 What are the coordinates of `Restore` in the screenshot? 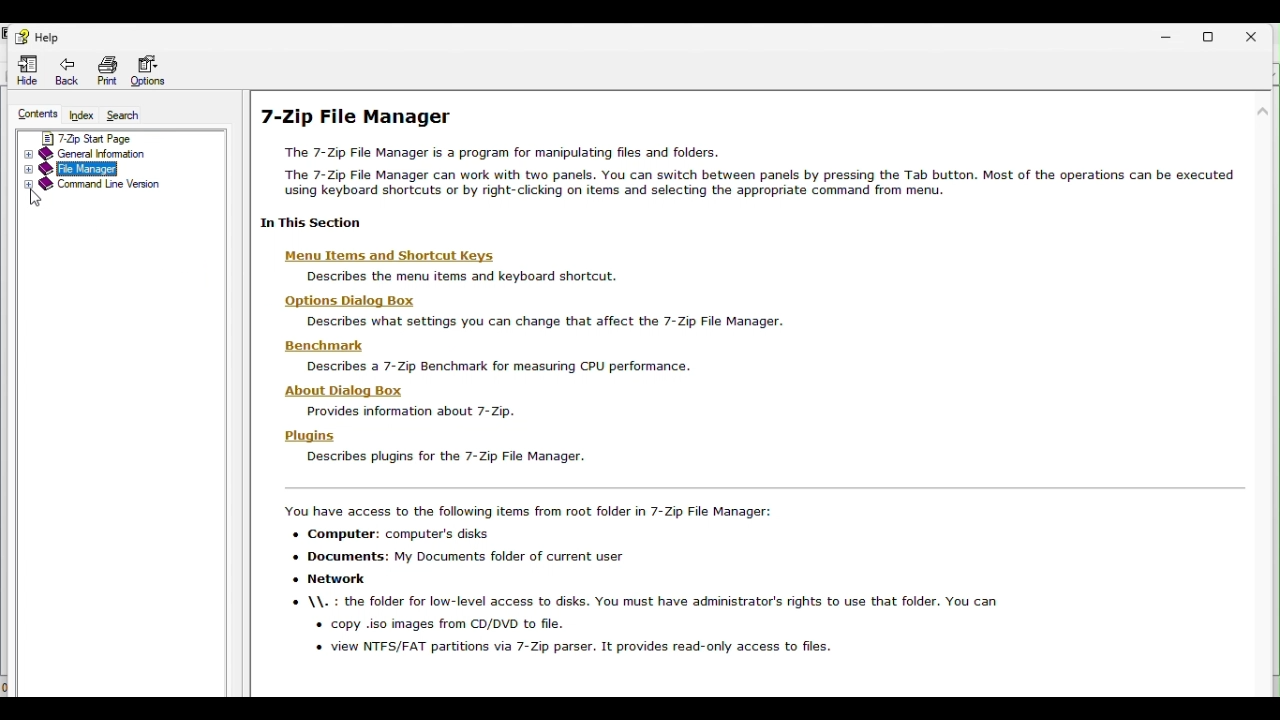 It's located at (1213, 35).